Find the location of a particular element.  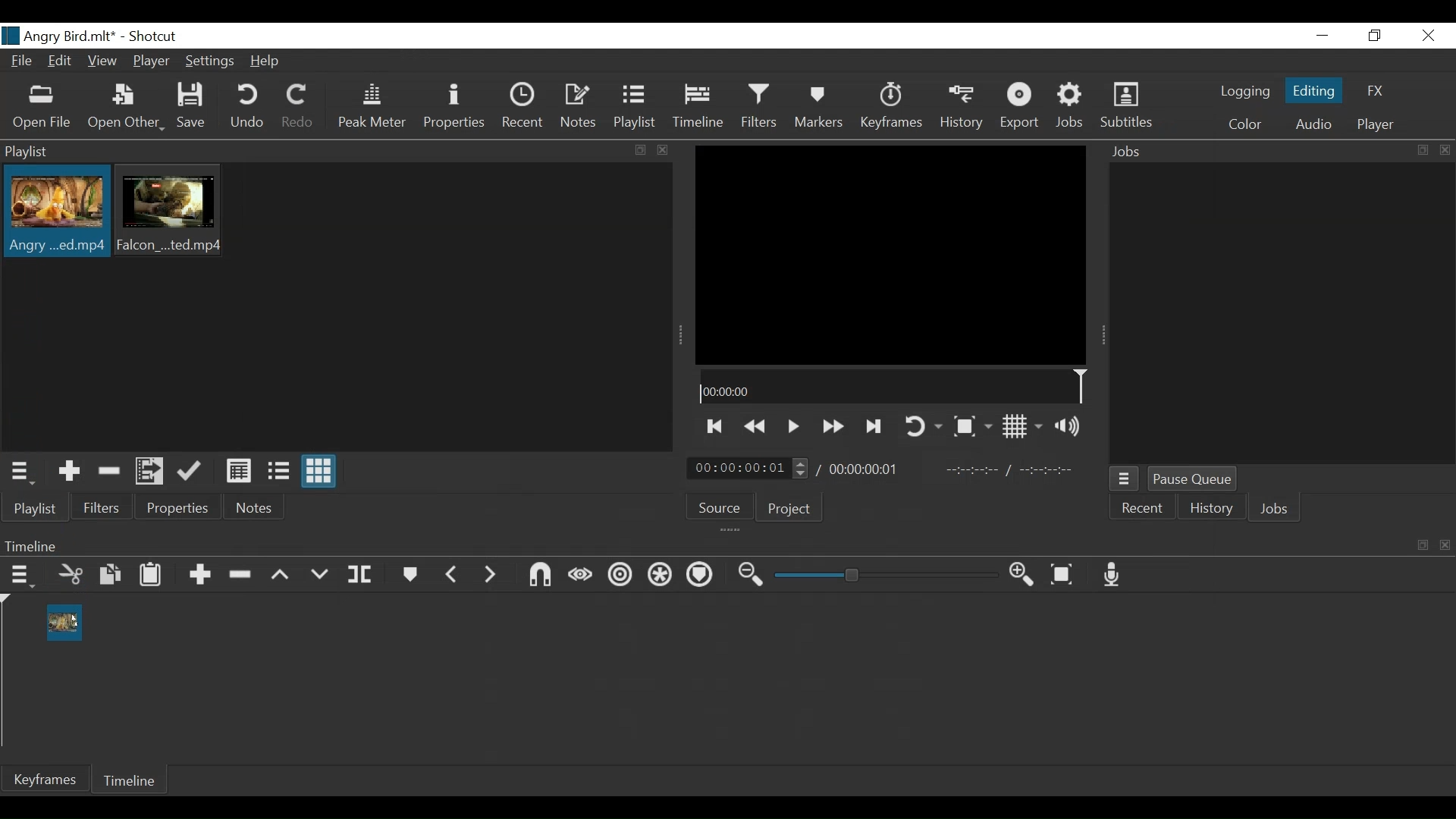

Toggle player looping is located at coordinates (924, 427).